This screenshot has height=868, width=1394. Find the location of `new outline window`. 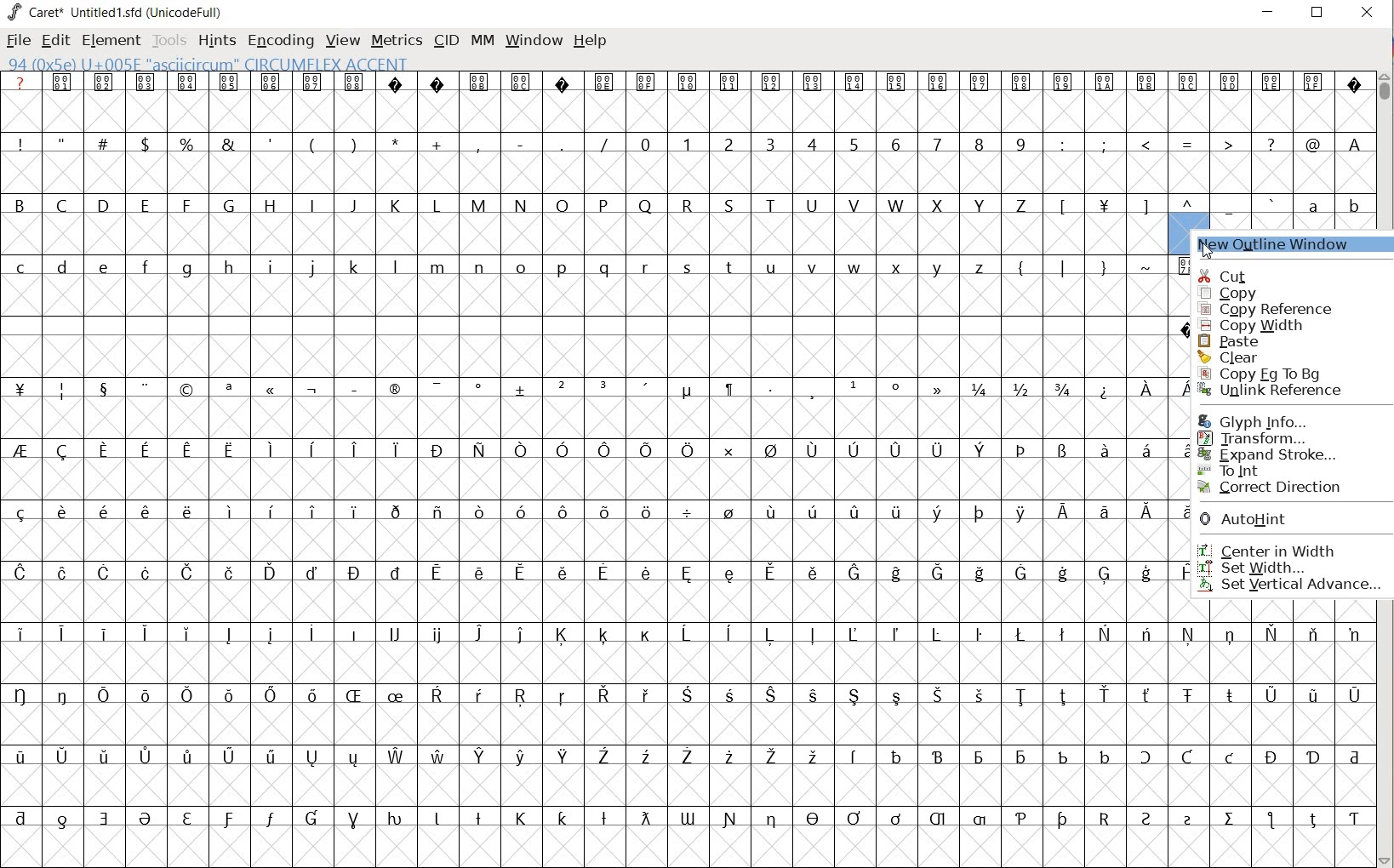

new outline window is located at coordinates (1287, 244).